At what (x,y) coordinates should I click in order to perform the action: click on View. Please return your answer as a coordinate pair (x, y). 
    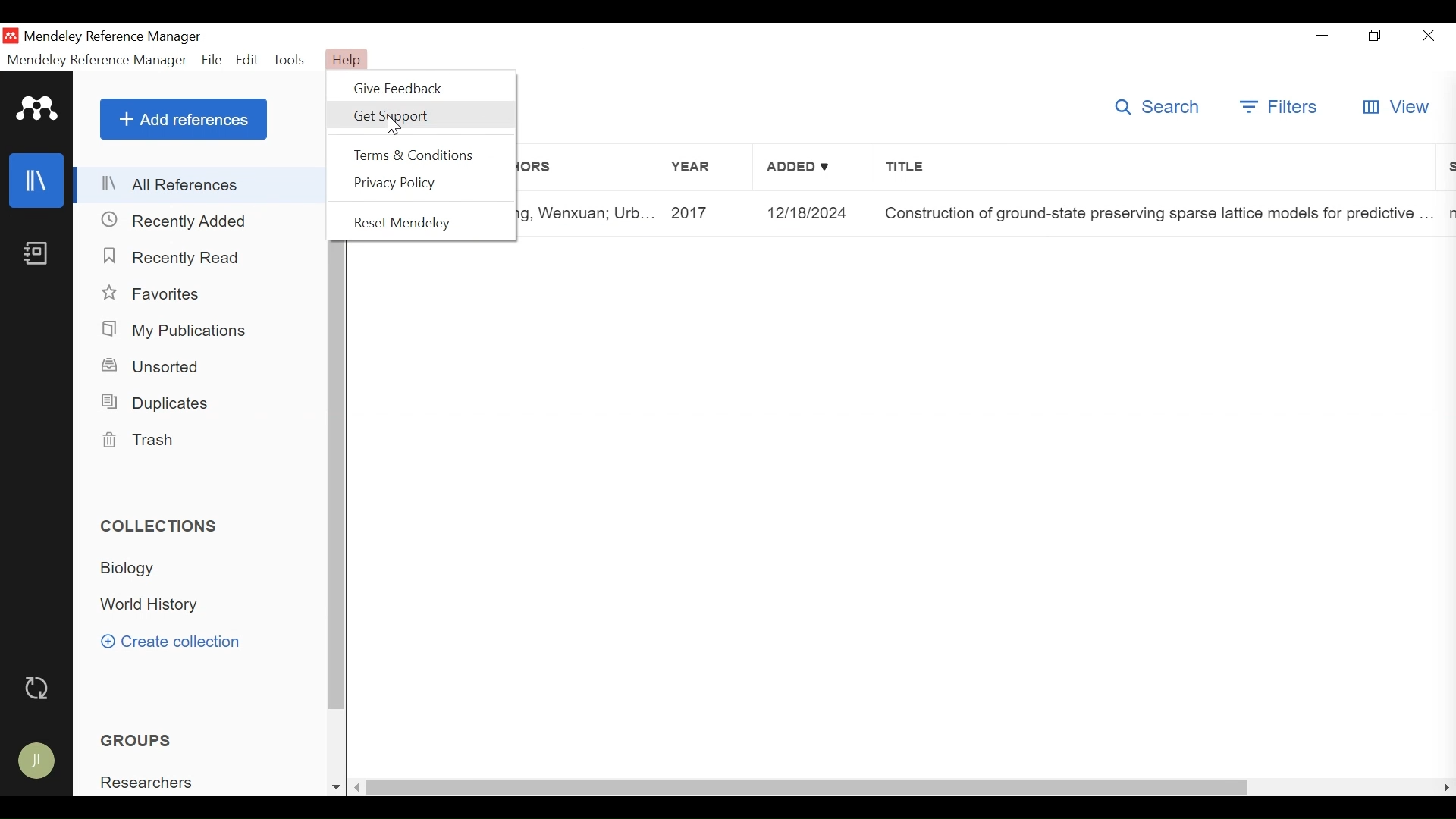
    Looking at the image, I should click on (1395, 108).